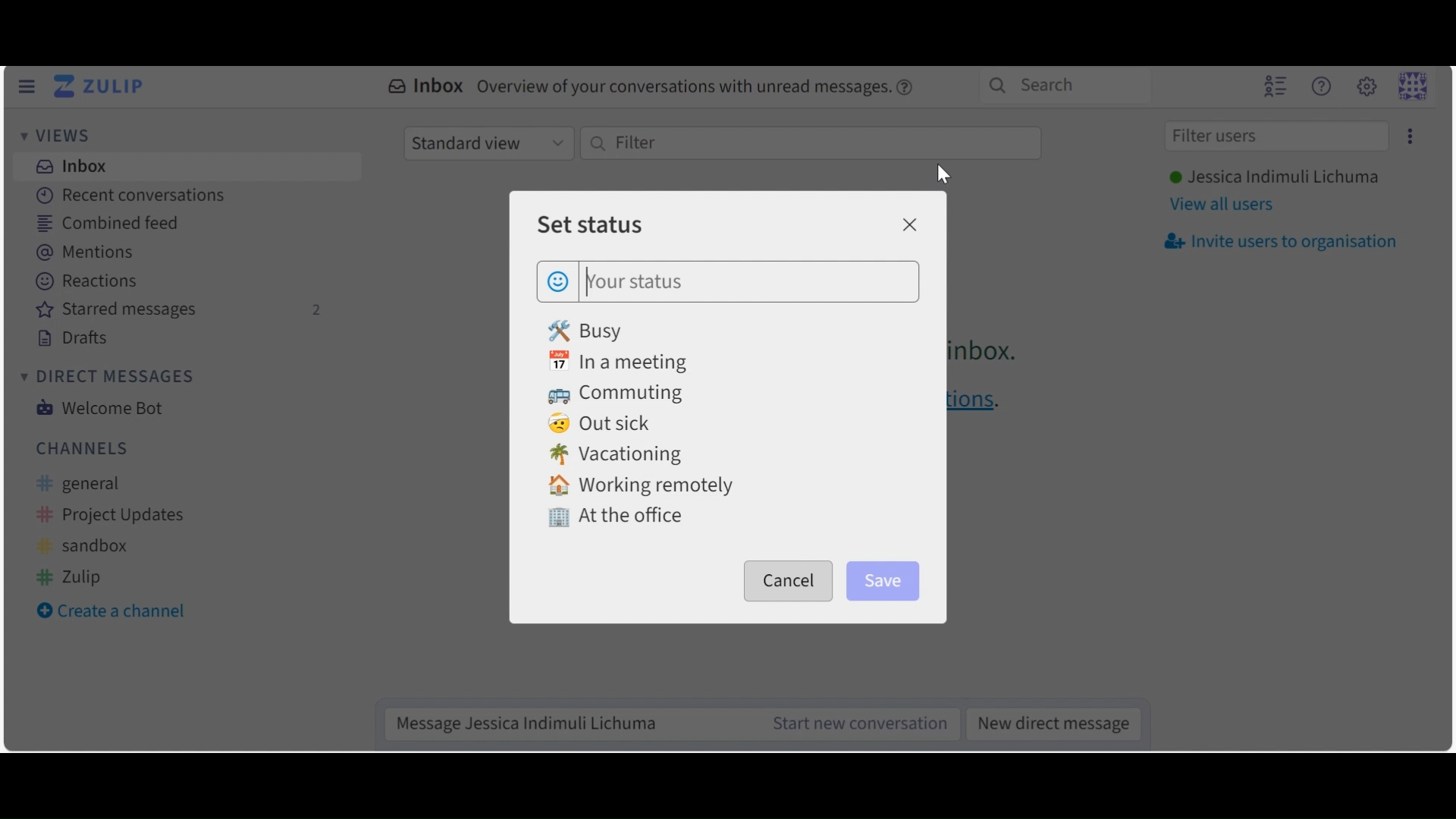 This screenshot has height=819, width=1456. I want to click on Recent Conversations, so click(129, 195).